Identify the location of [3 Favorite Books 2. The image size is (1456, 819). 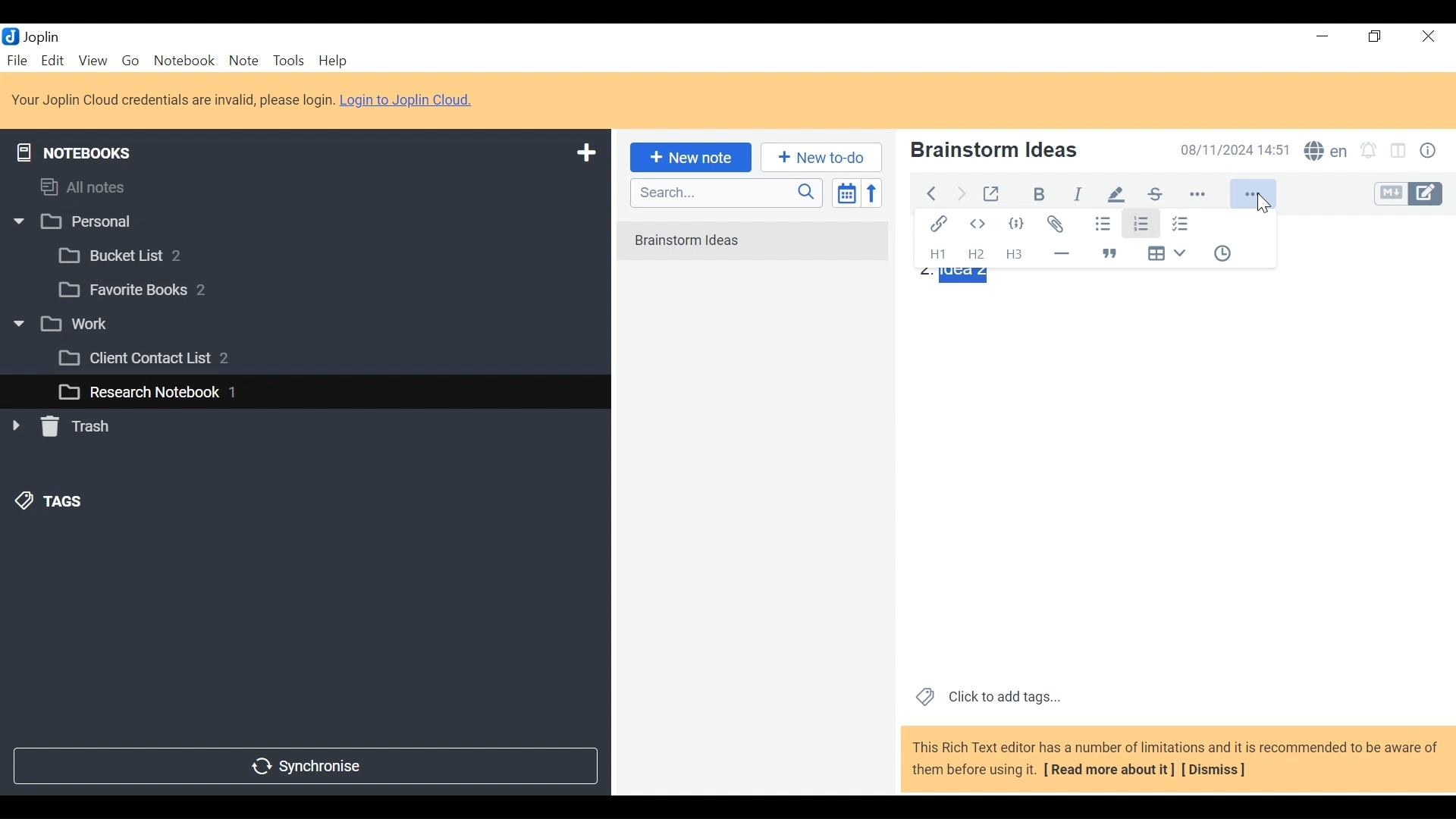
(145, 290).